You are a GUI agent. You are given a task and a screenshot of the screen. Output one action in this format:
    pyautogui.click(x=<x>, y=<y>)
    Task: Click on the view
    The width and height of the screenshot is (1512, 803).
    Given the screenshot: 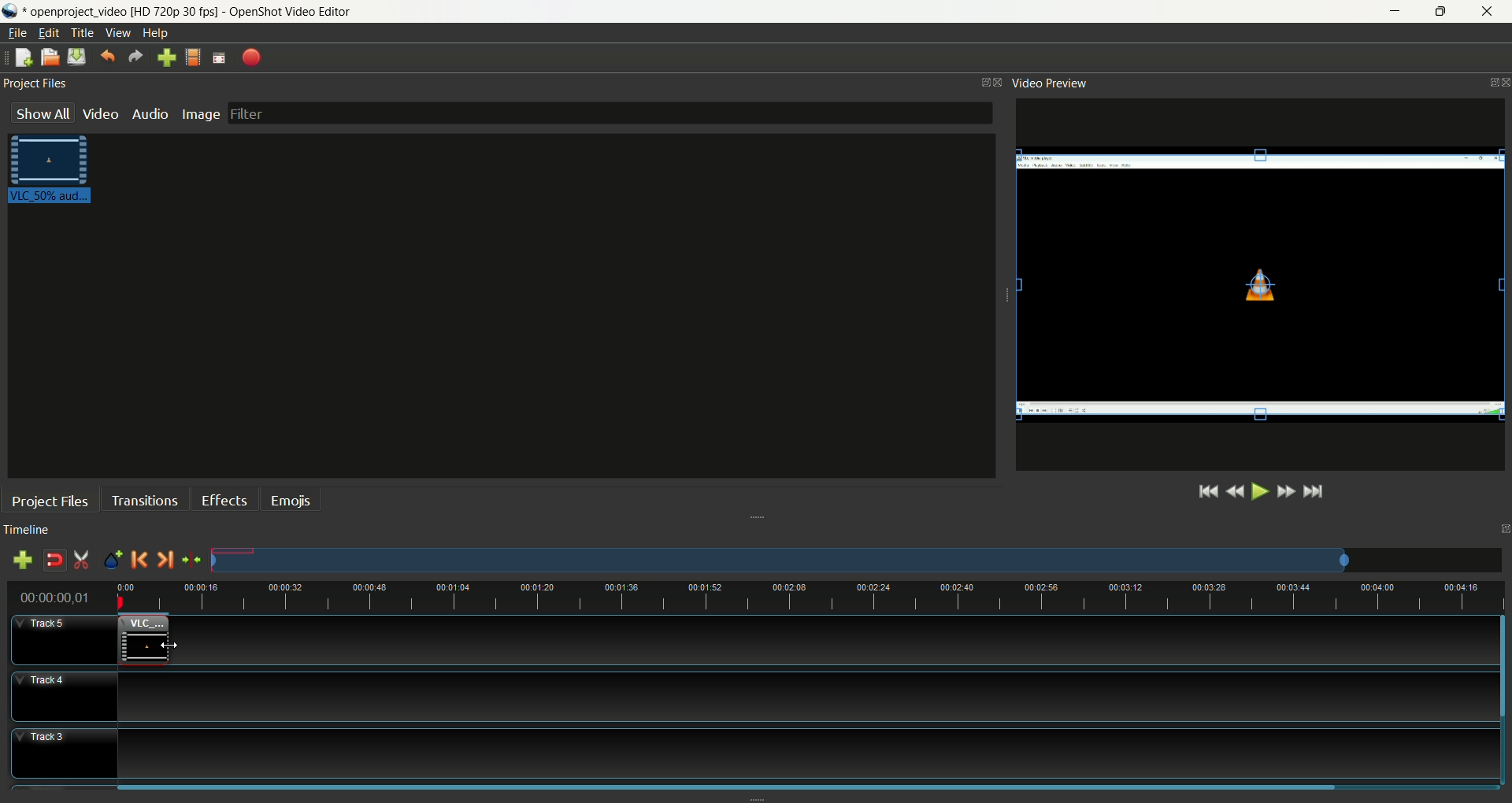 What is the action you would take?
    pyautogui.click(x=119, y=33)
    